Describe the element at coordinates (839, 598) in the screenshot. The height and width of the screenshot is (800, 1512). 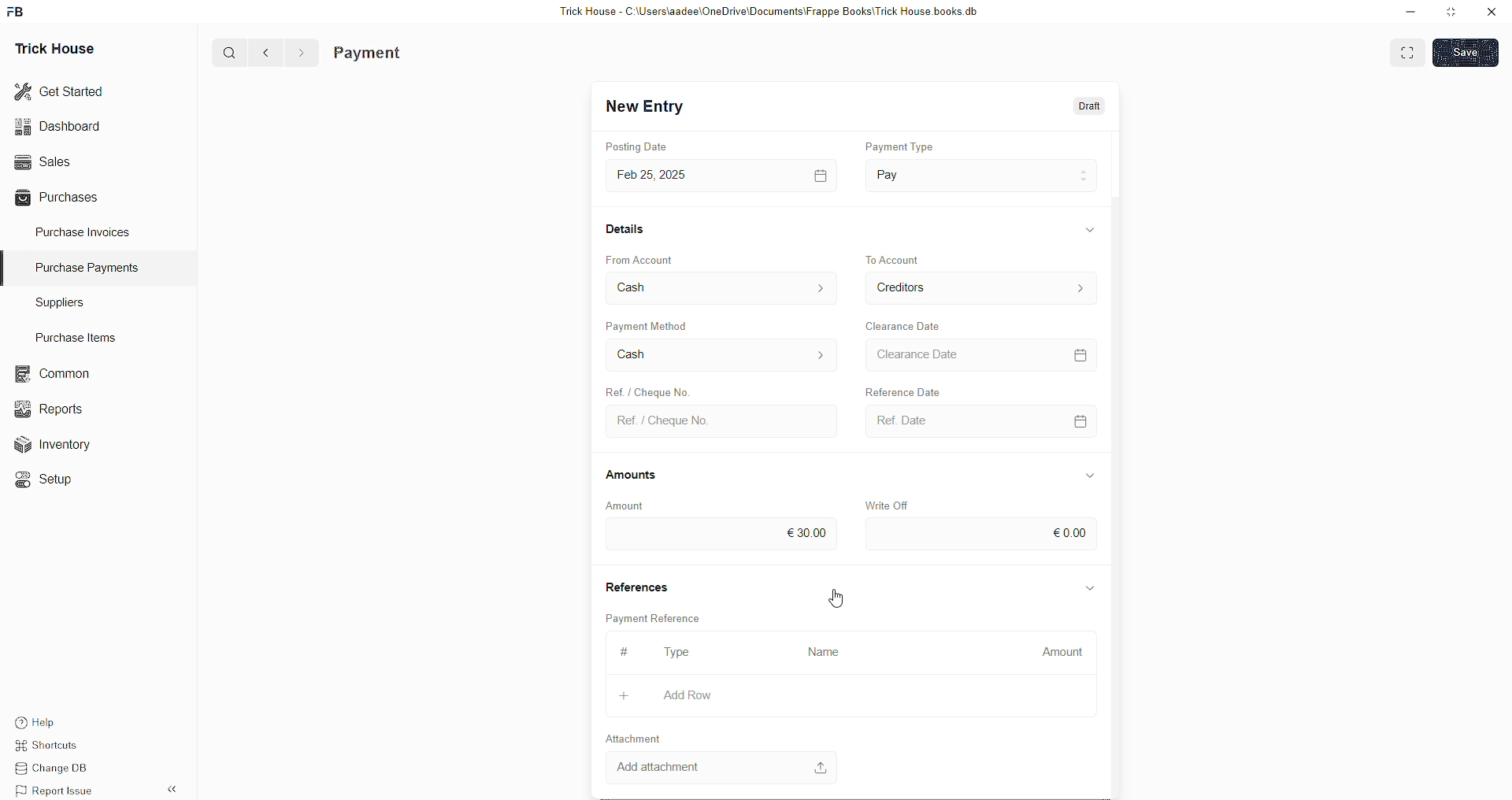
I see `cursor` at that location.